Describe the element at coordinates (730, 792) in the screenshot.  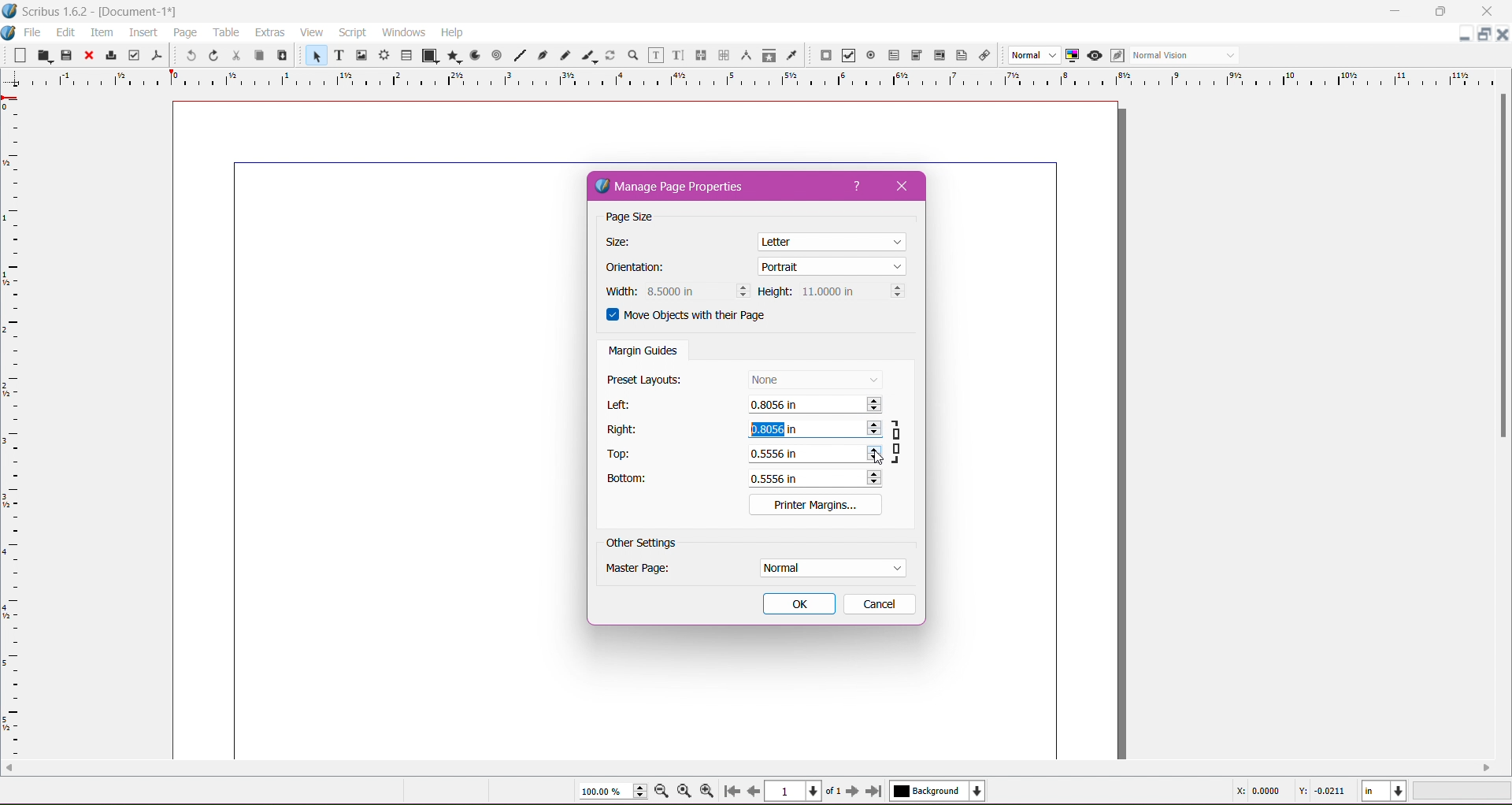
I see `Go to first page` at that location.